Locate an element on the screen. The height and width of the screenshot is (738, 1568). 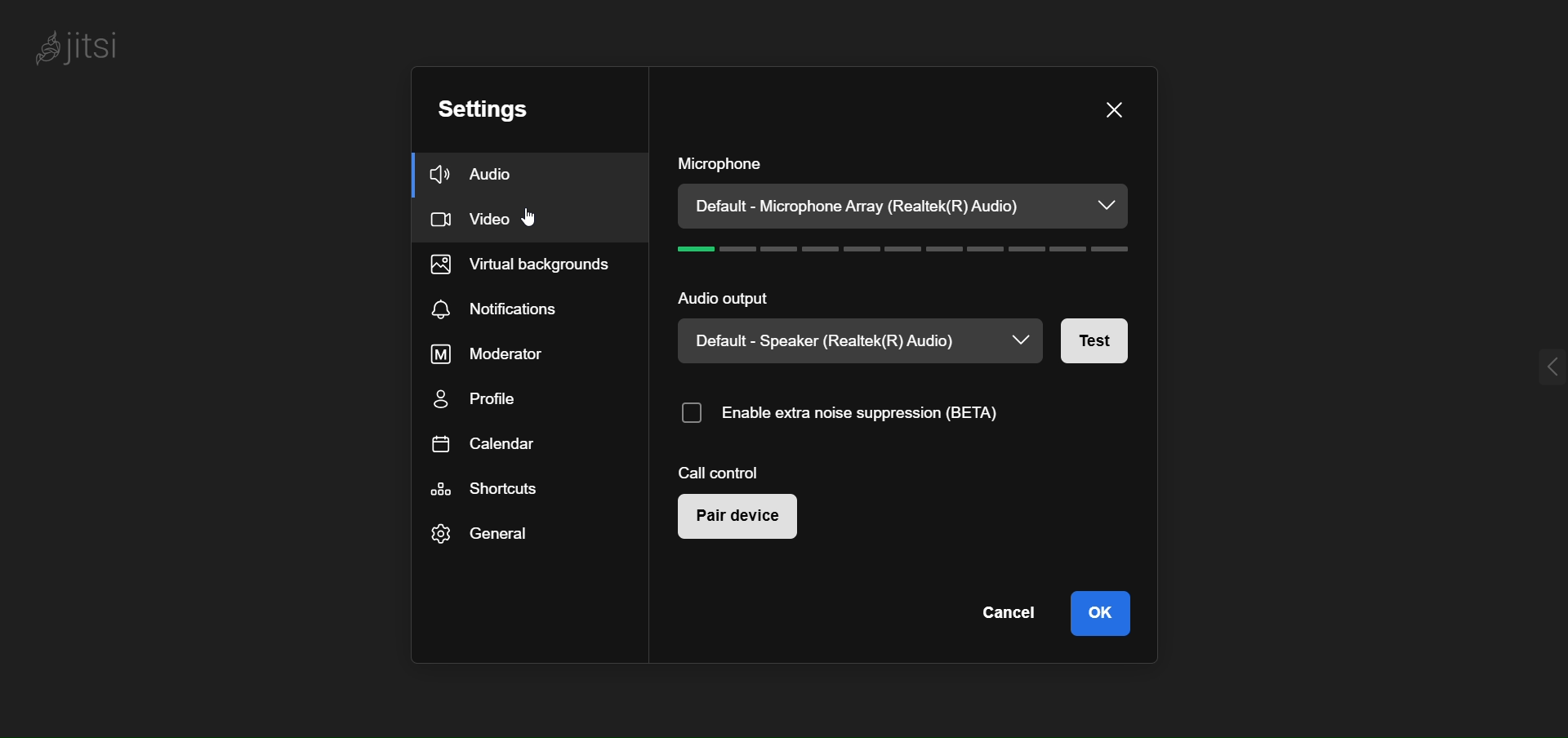
ok is located at coordinates (1103, 612).